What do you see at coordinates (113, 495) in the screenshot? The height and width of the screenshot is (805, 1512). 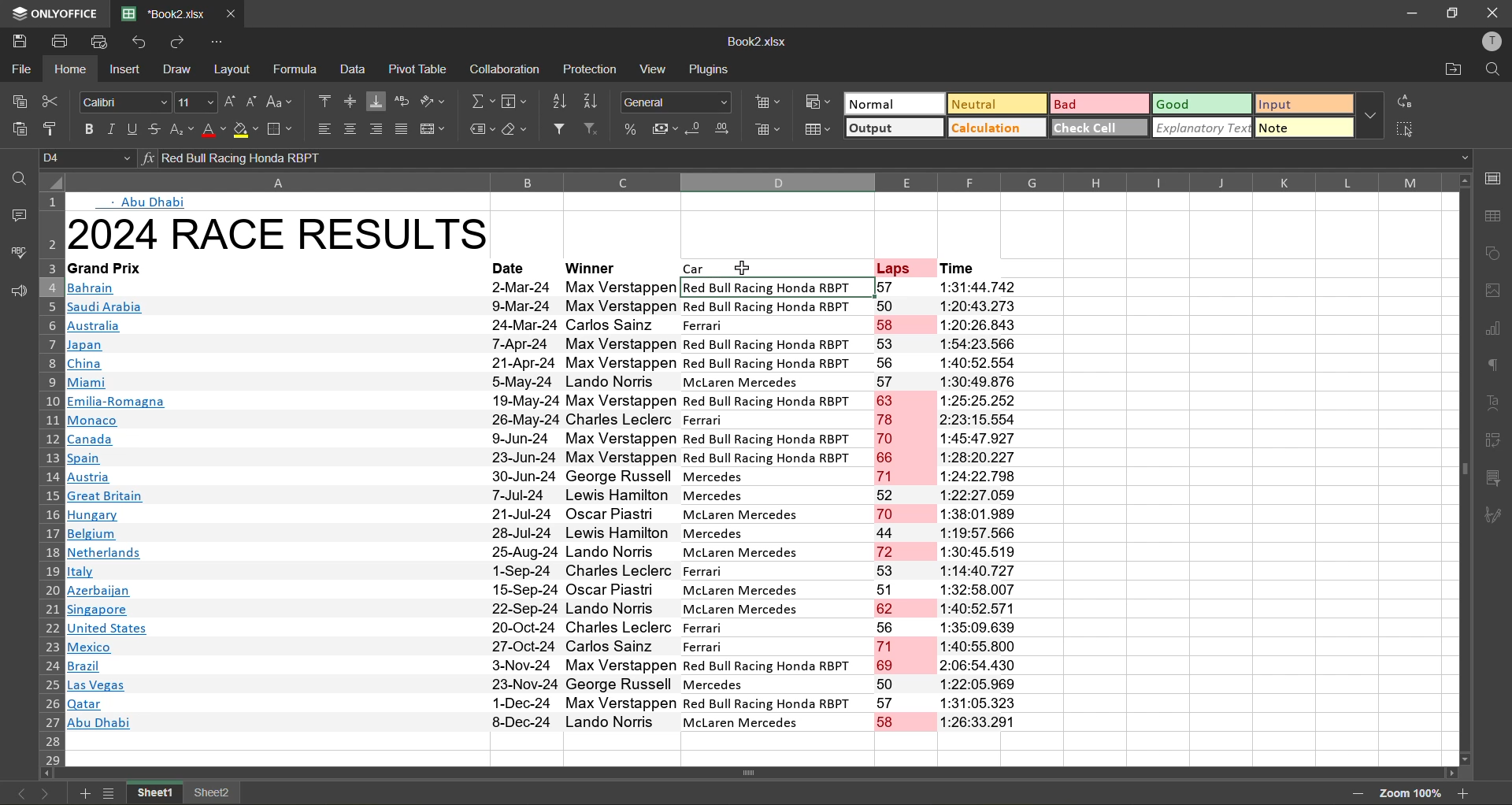 I see `Links` at bounding box center [113, 495].